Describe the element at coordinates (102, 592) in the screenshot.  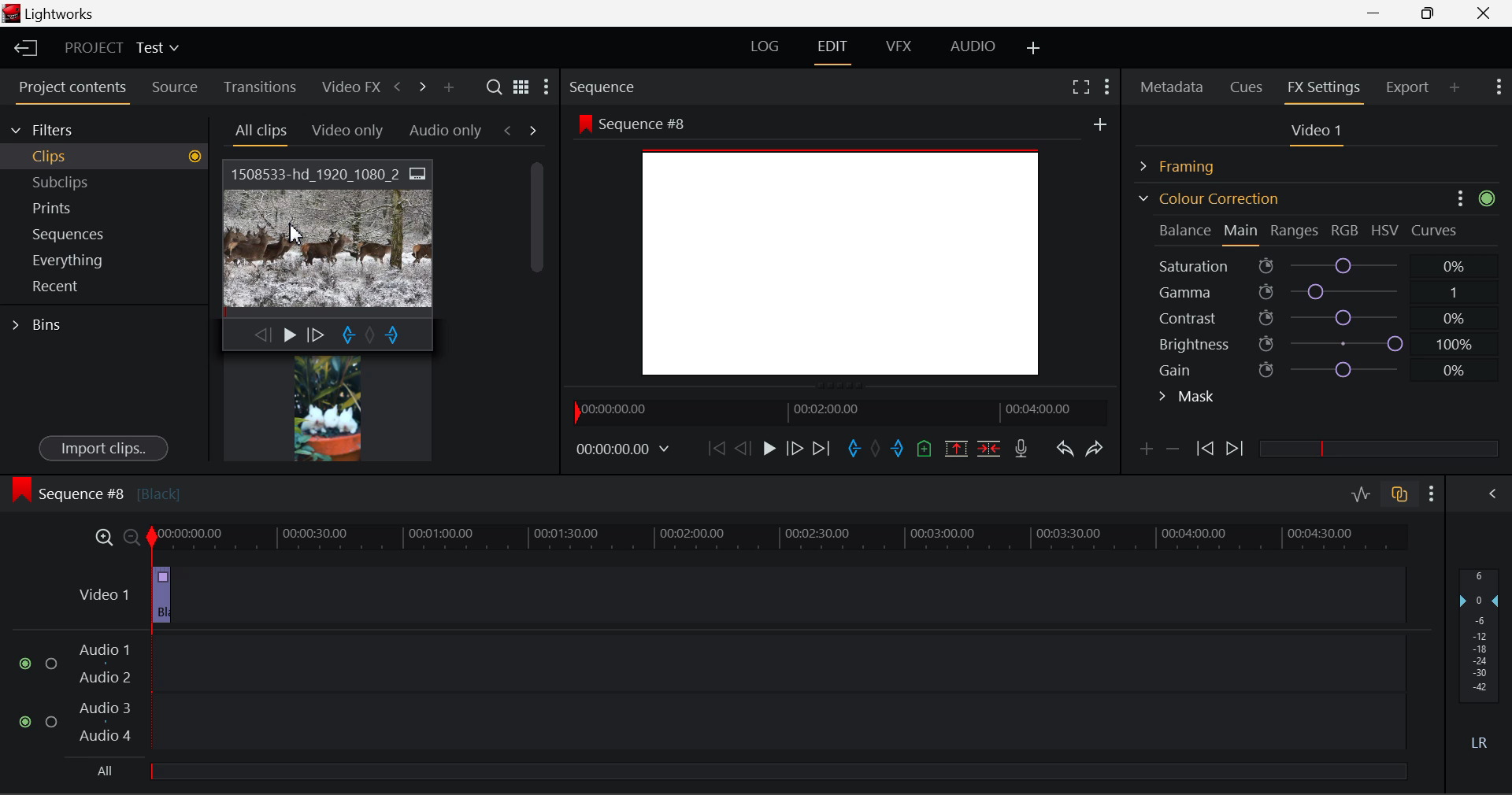
I see `Video 1` at that location.